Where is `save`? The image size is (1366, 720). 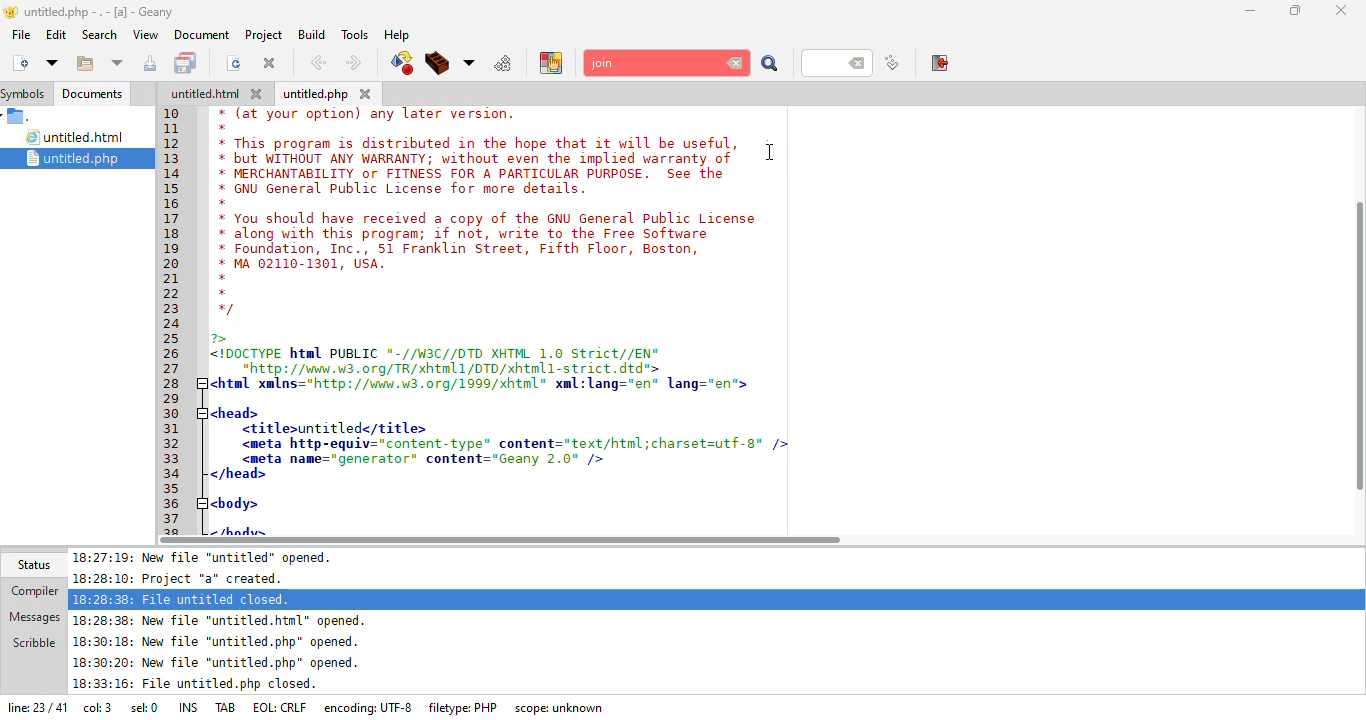 save is located at coordinates (188, 63).